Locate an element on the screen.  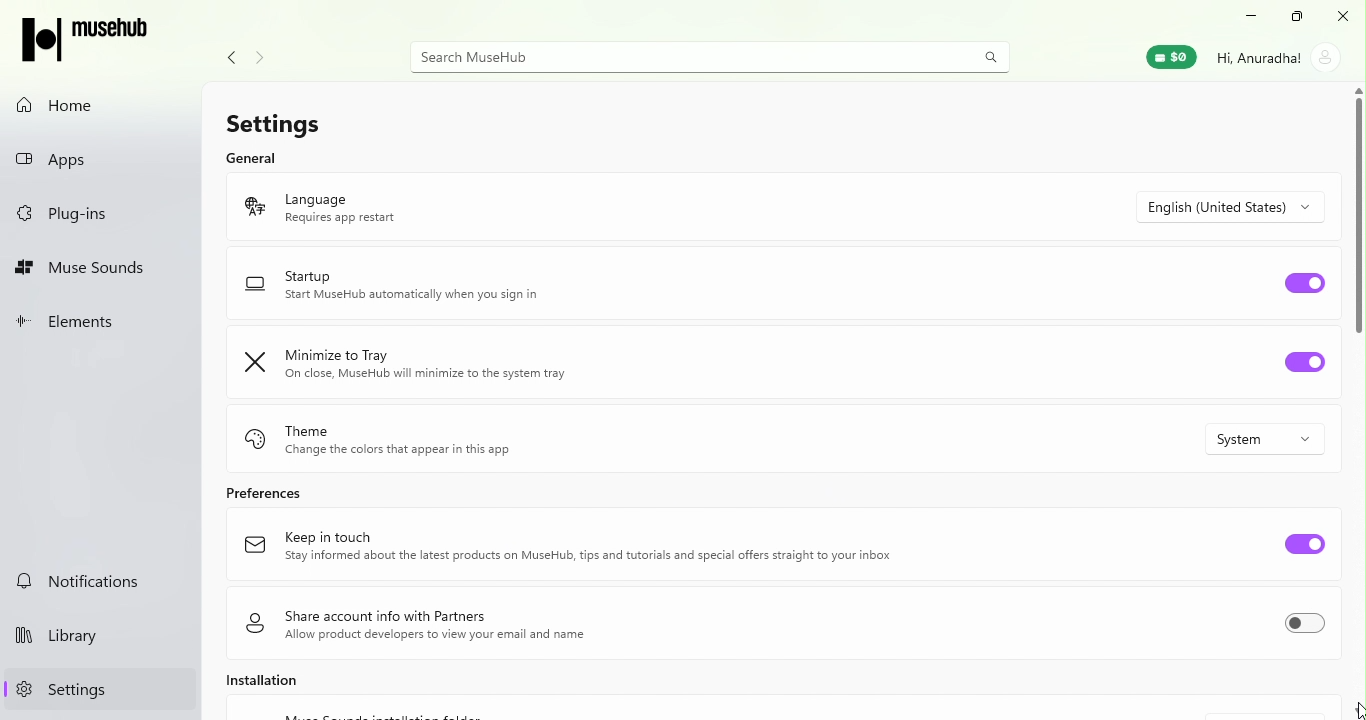
Startup Start MuseHub automatically when you sign in is located at coordinates (422, 284).